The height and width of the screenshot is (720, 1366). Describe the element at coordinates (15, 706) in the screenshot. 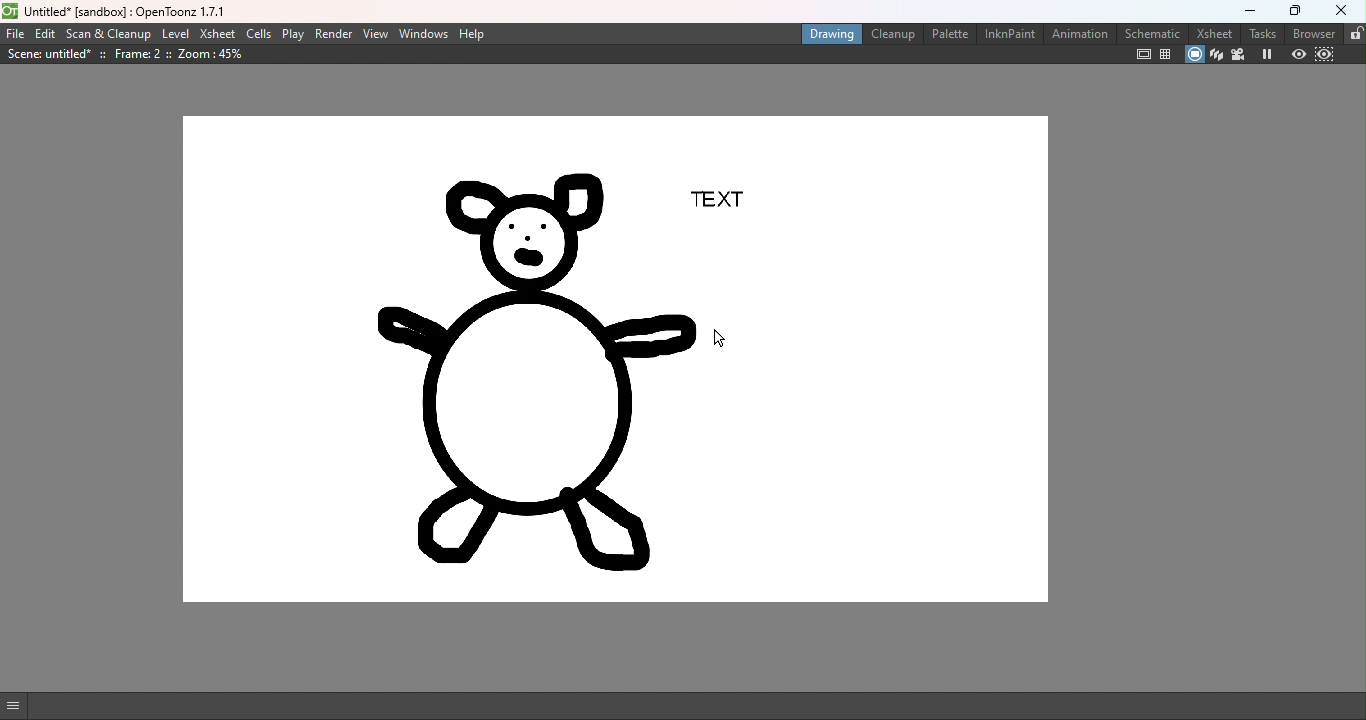

I see `GUI Show/Hide` at that location.